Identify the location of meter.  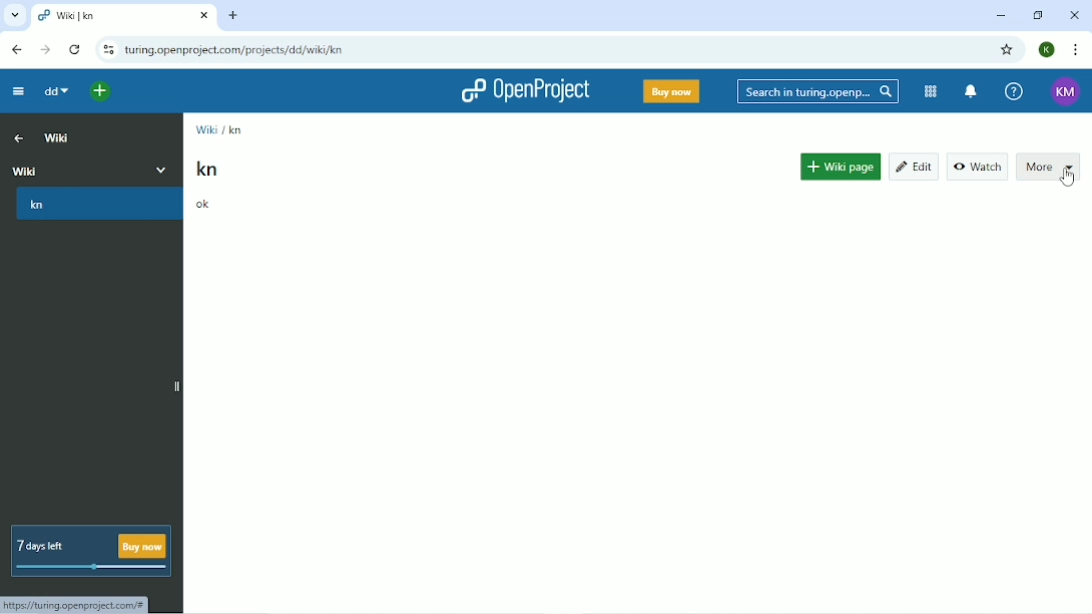
(88, 571).